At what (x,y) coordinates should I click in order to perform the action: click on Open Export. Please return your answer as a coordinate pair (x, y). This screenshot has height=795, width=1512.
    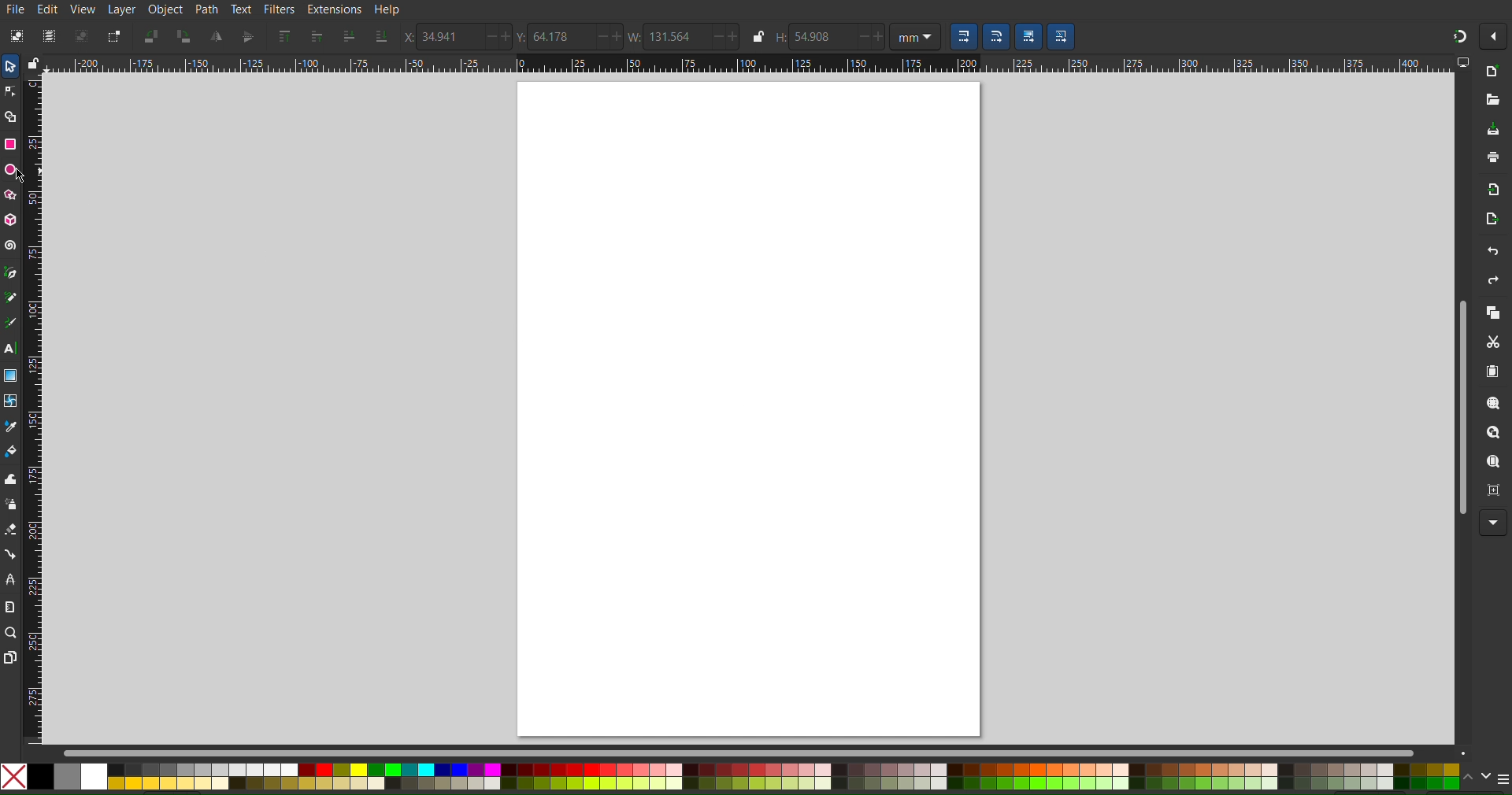
    Looking at the image, I should click on (1495, 217).